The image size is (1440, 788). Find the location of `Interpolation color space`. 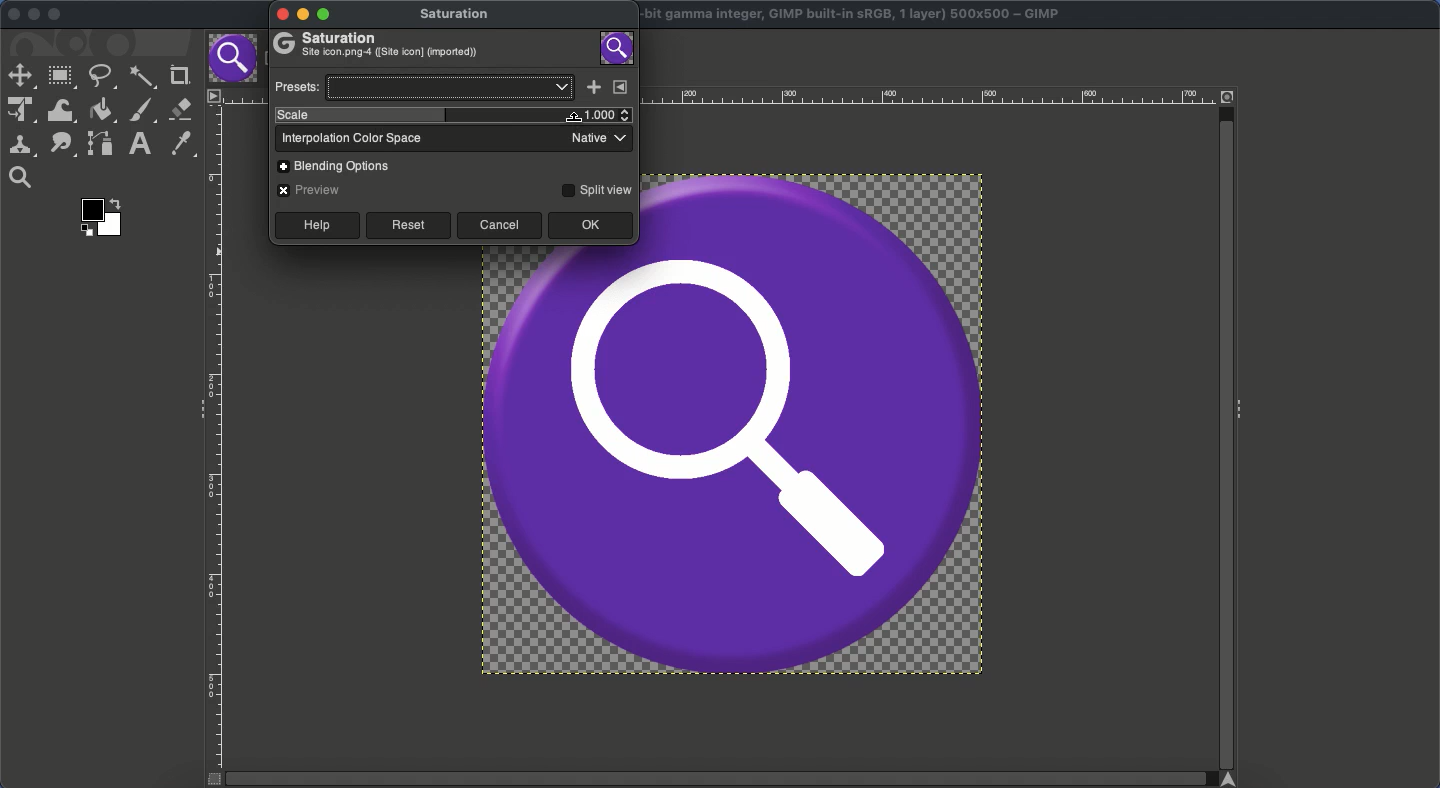

Interpolation color space is located at coordinates (452, 139).